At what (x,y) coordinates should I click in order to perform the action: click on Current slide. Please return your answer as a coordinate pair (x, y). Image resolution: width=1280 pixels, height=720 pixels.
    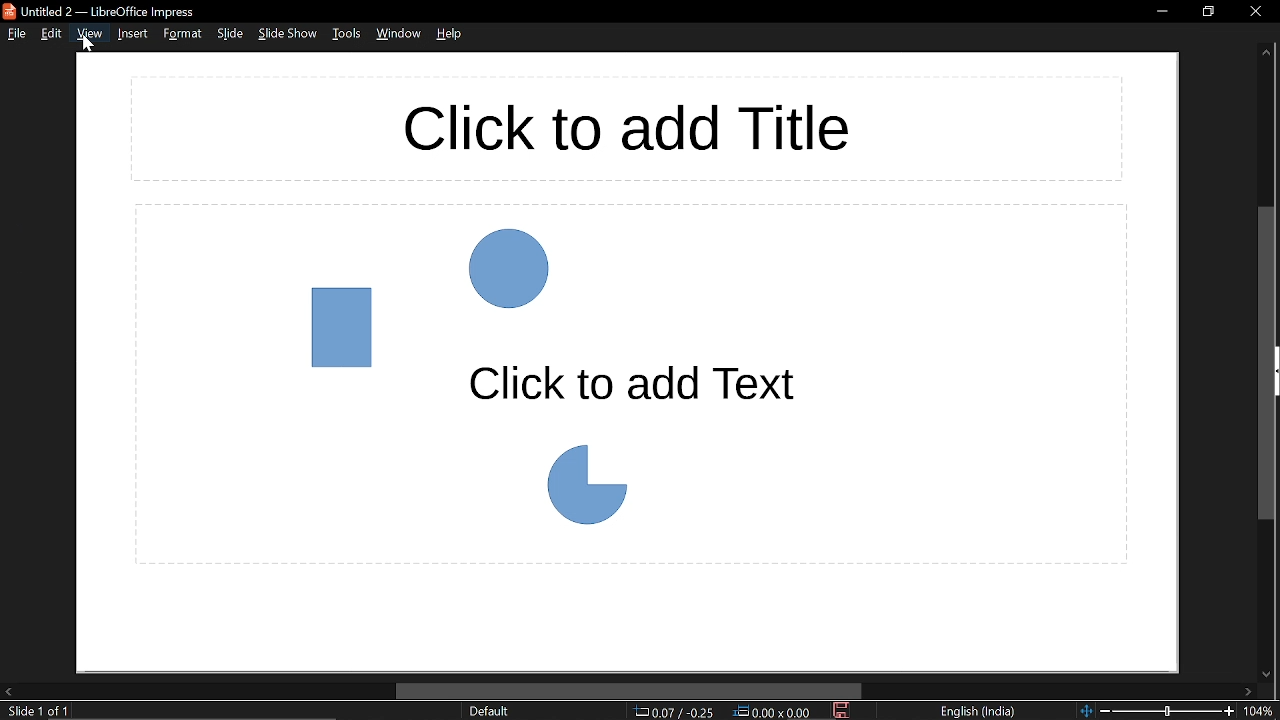
    Looking at the image, I should click on (34, 712).